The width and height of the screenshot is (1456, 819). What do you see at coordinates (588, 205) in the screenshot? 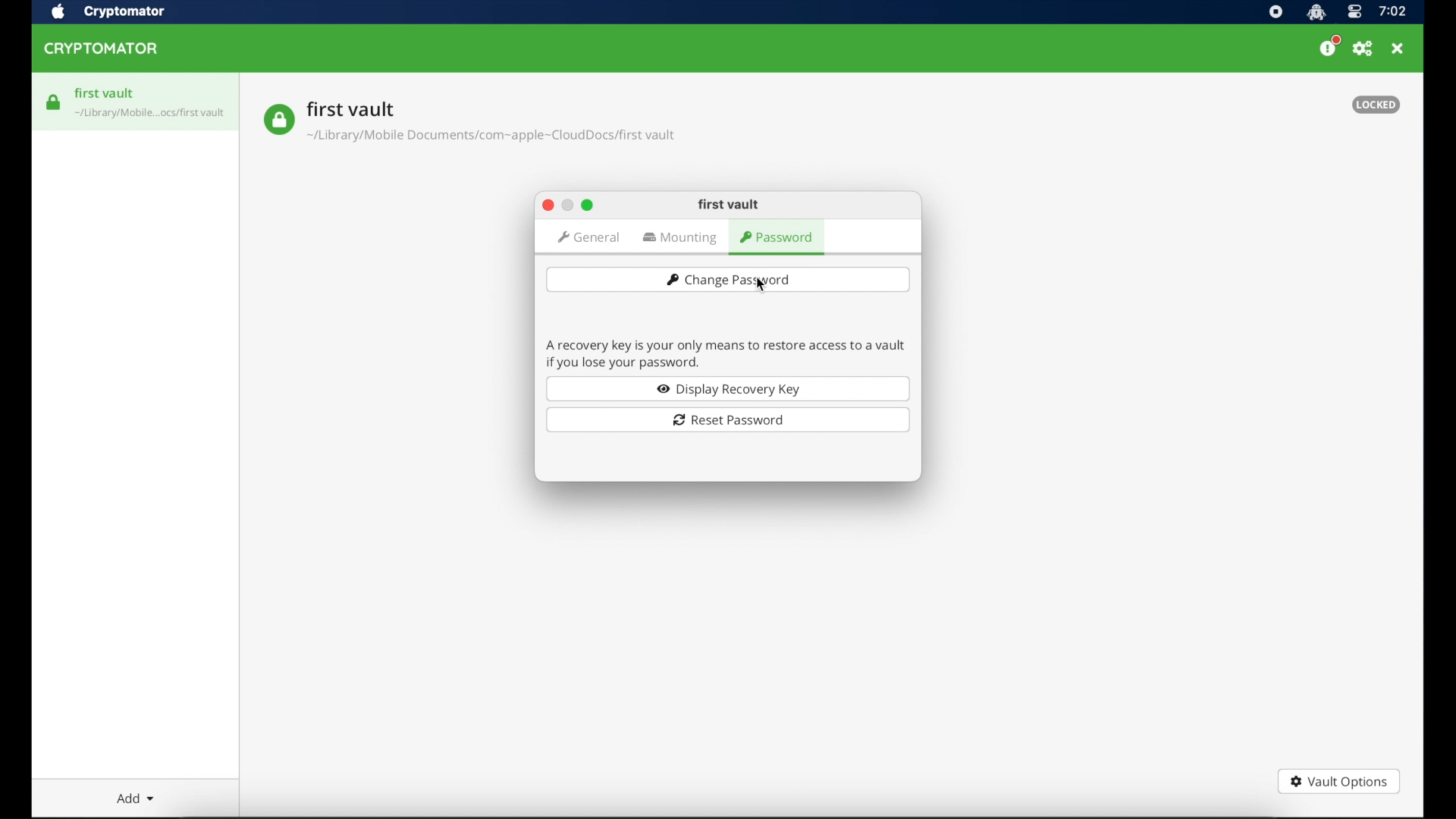
I see `maximize` at bounding box center [588, 205].